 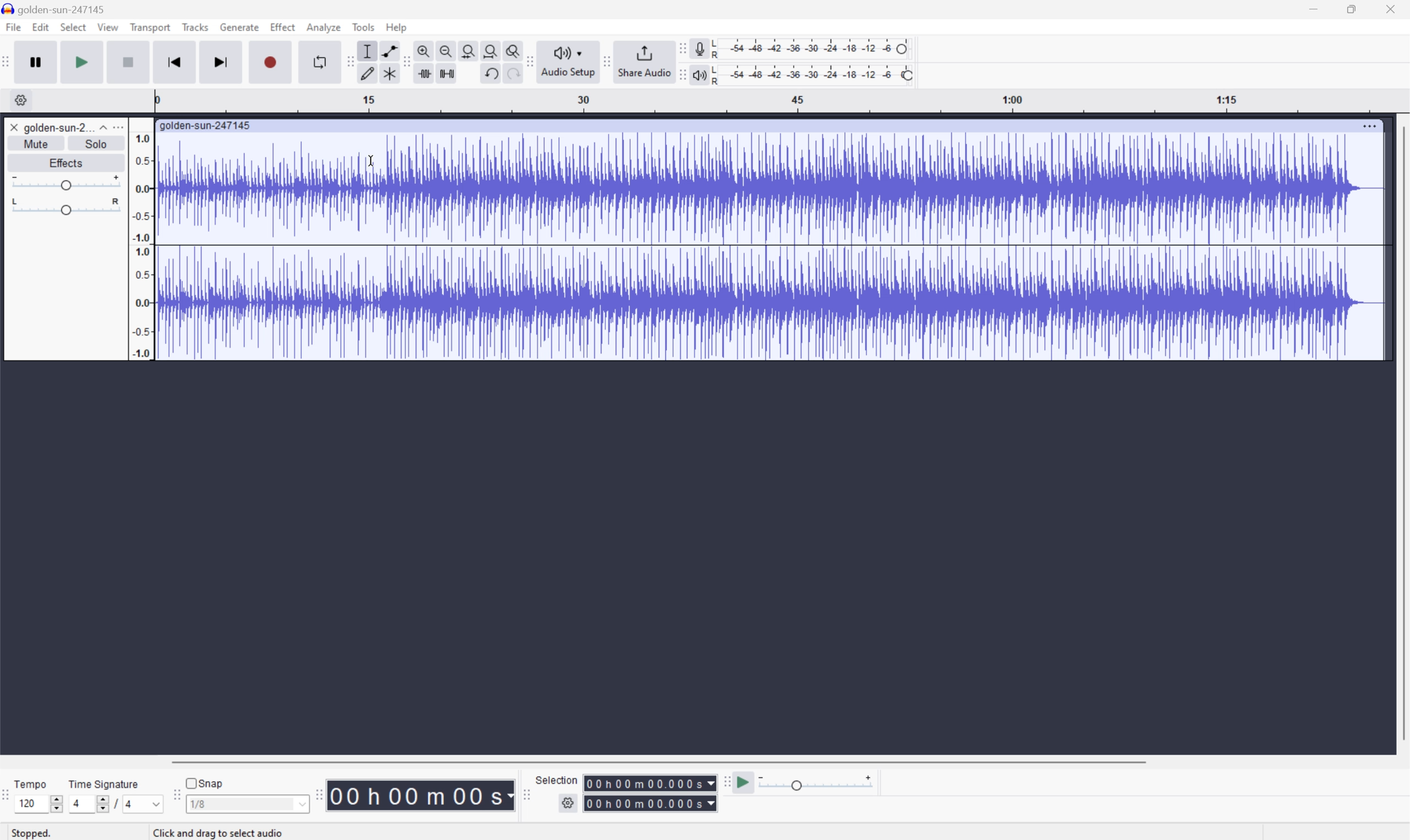 I want to click on Help, so click(x=397, y=27).